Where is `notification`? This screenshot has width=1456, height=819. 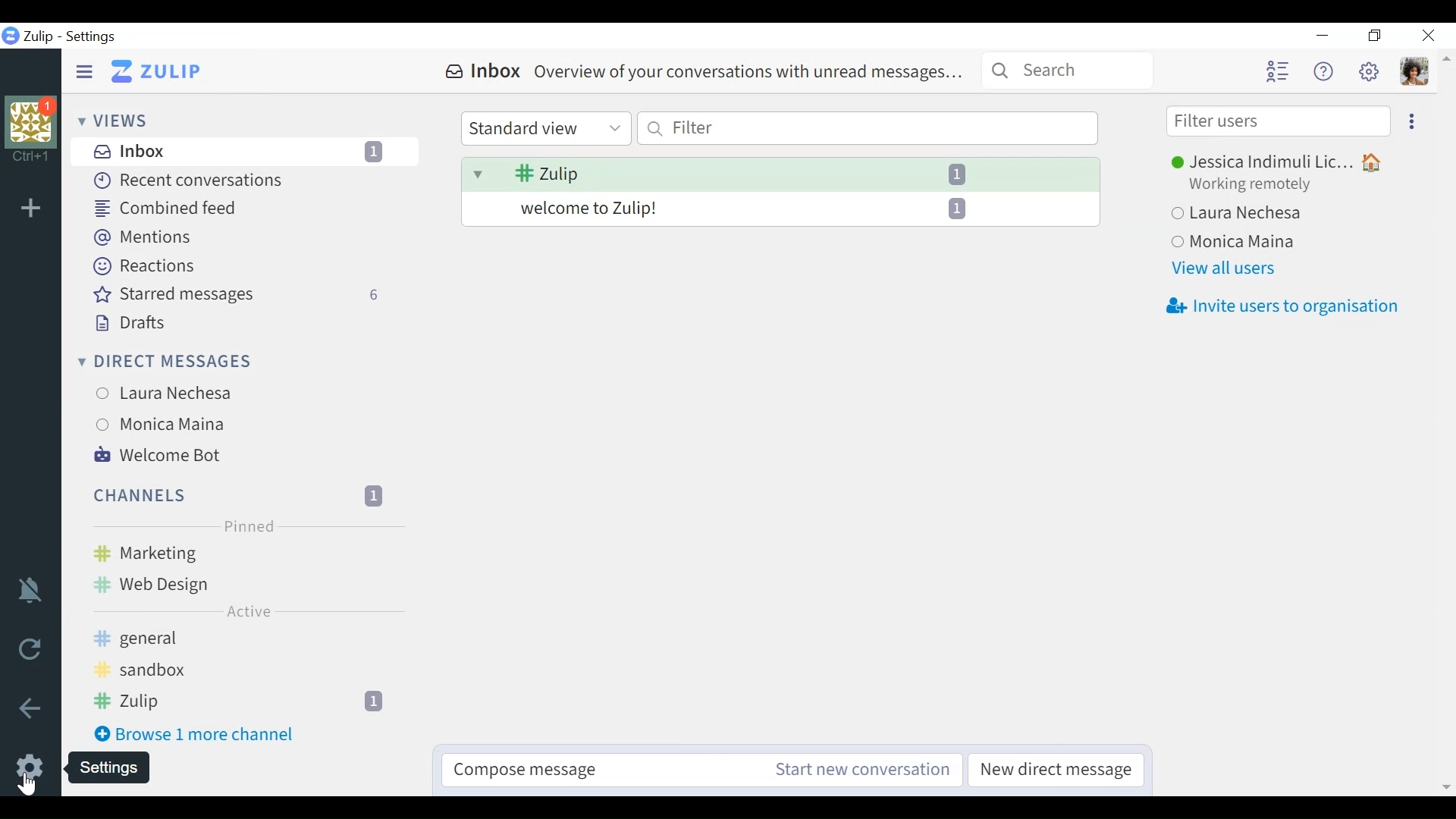 notification is located at coordinates (31, 588).